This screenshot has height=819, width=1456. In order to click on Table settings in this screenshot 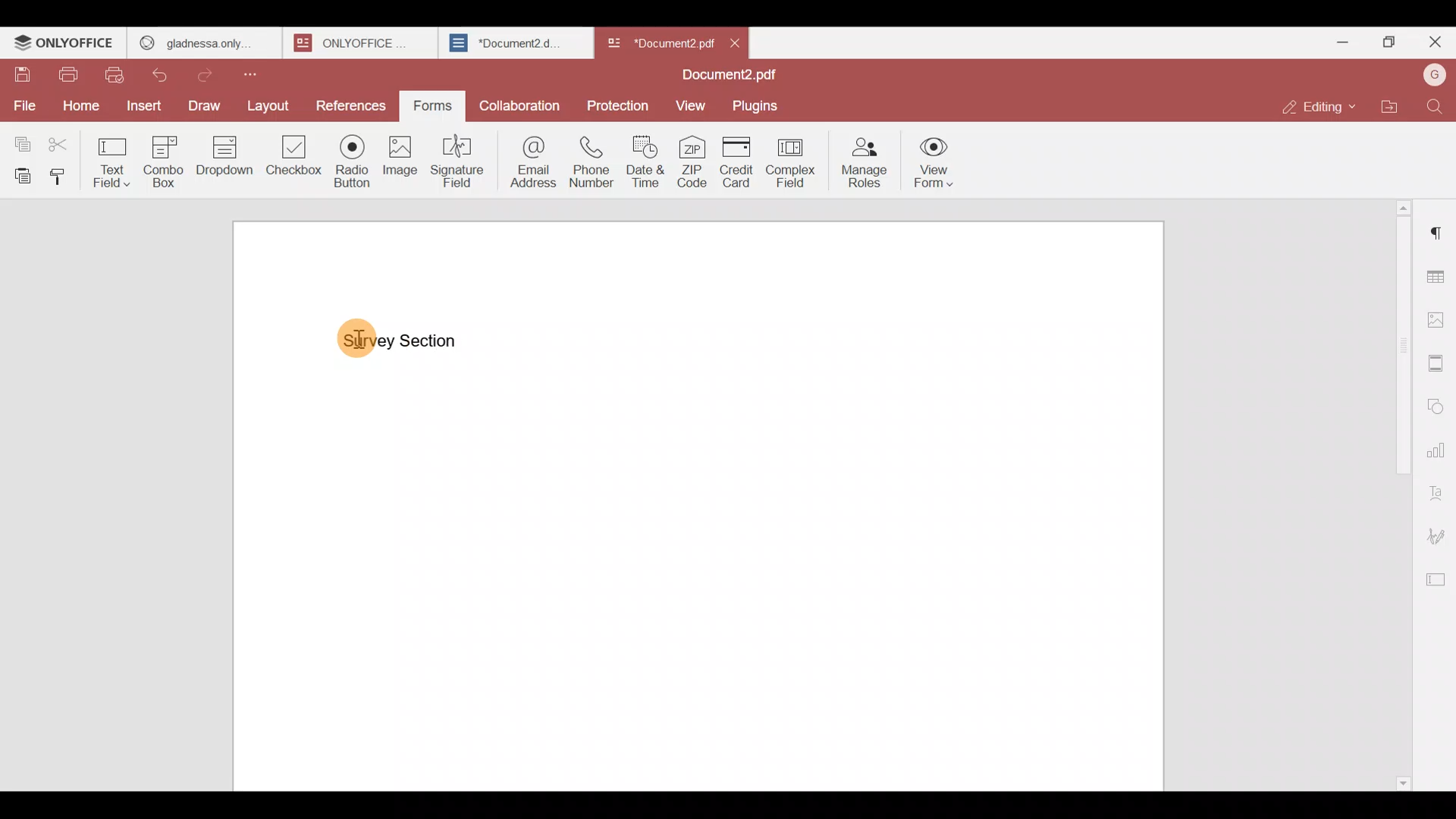, I will do `click(1439, 275)`.